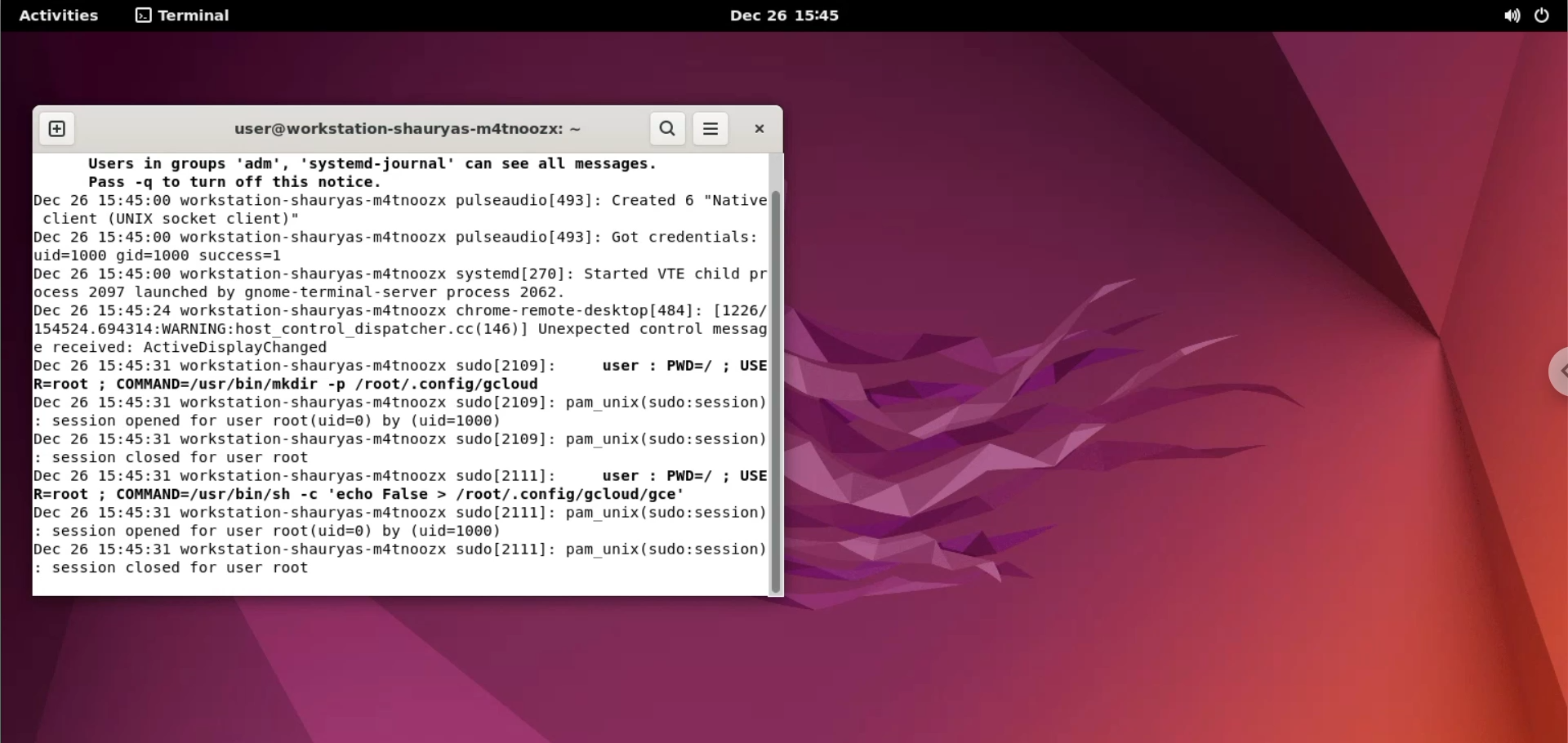  Describe the element at coordinates (62, 16) in the screenshot. I see `Activities` at that location.